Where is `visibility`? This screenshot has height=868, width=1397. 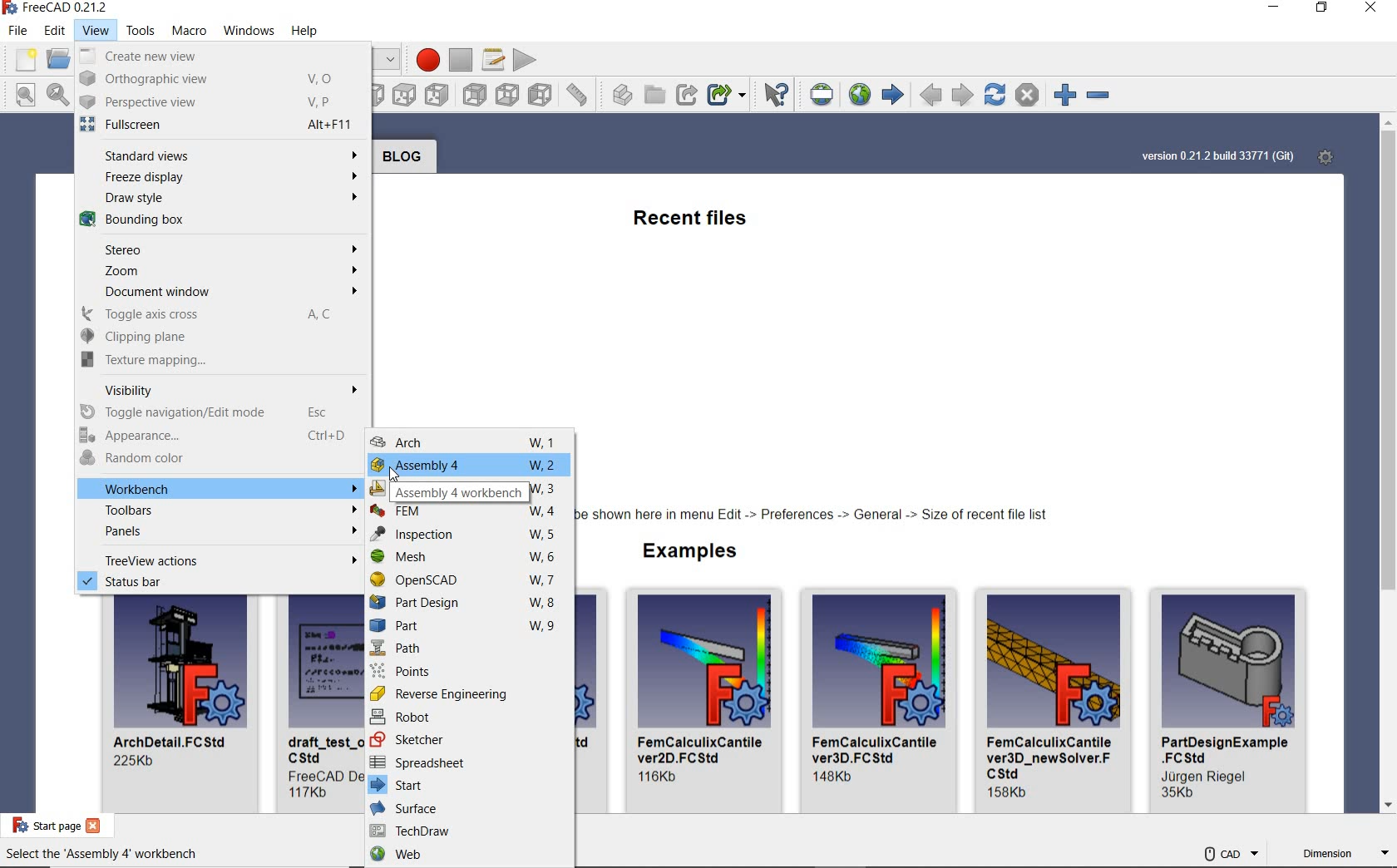
visibility is located at coordinates (222, 388).